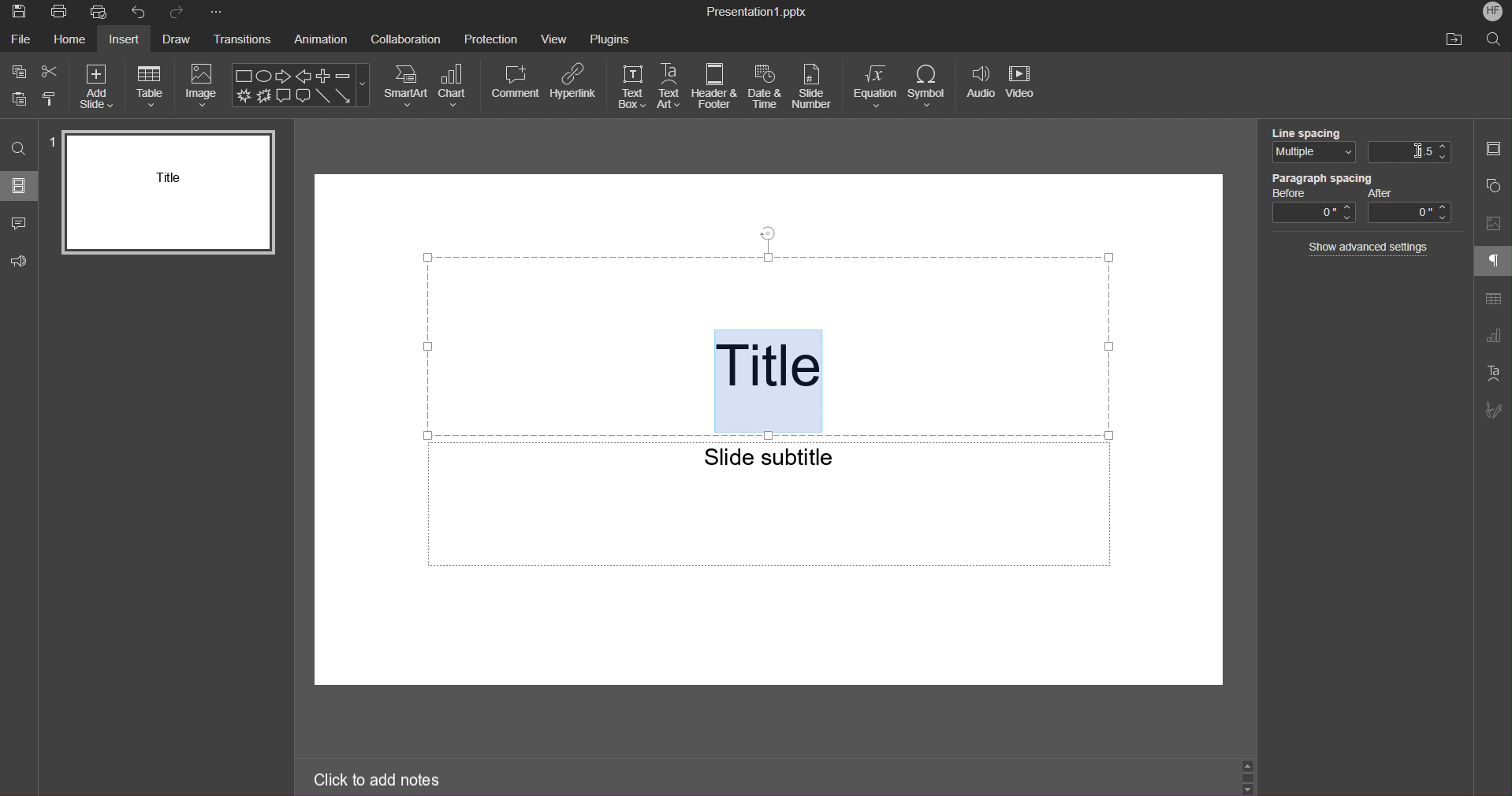  I want to click on Image, so click(203, 87).